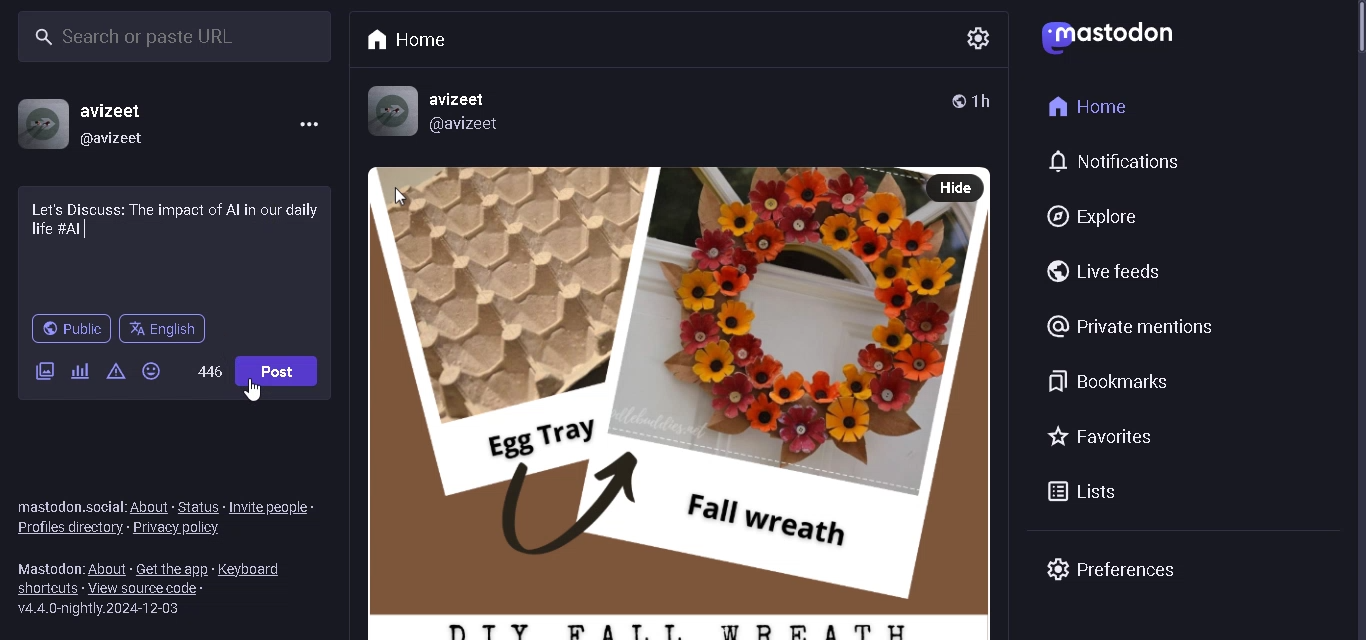  I want to click on BOOKMARKS, so click(1112, 379).